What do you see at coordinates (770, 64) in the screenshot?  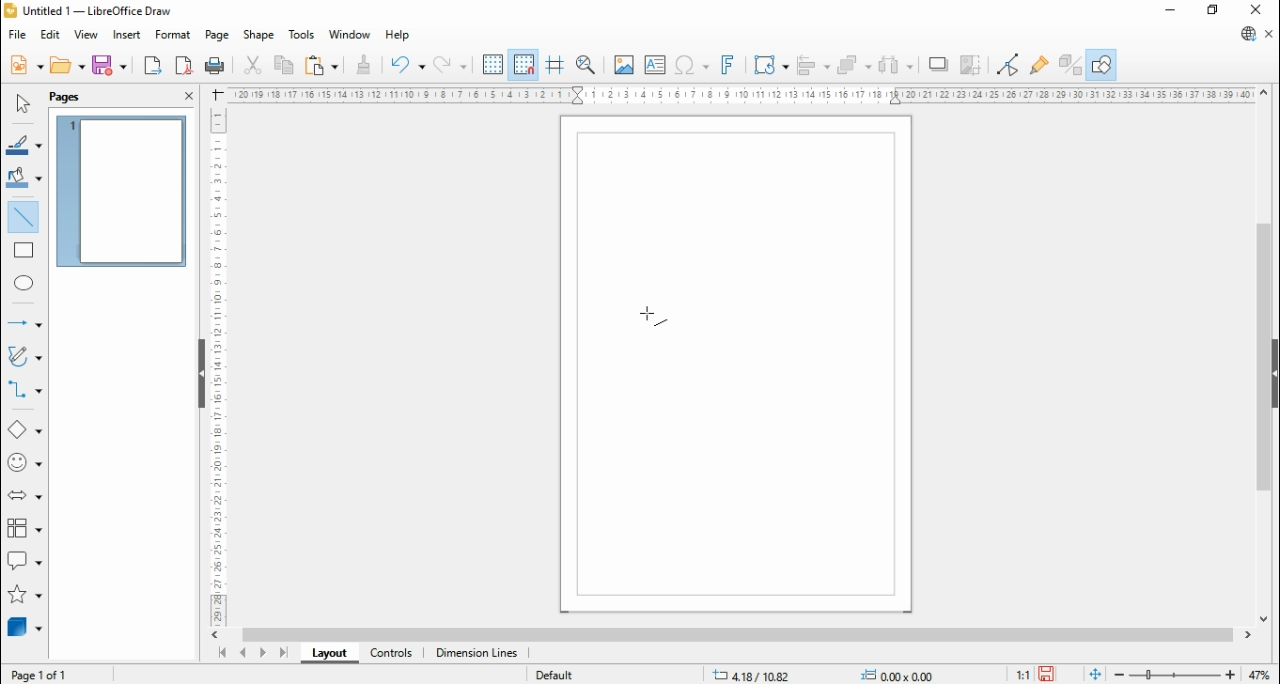 I see `transformations` at bounding box center [770, 64].